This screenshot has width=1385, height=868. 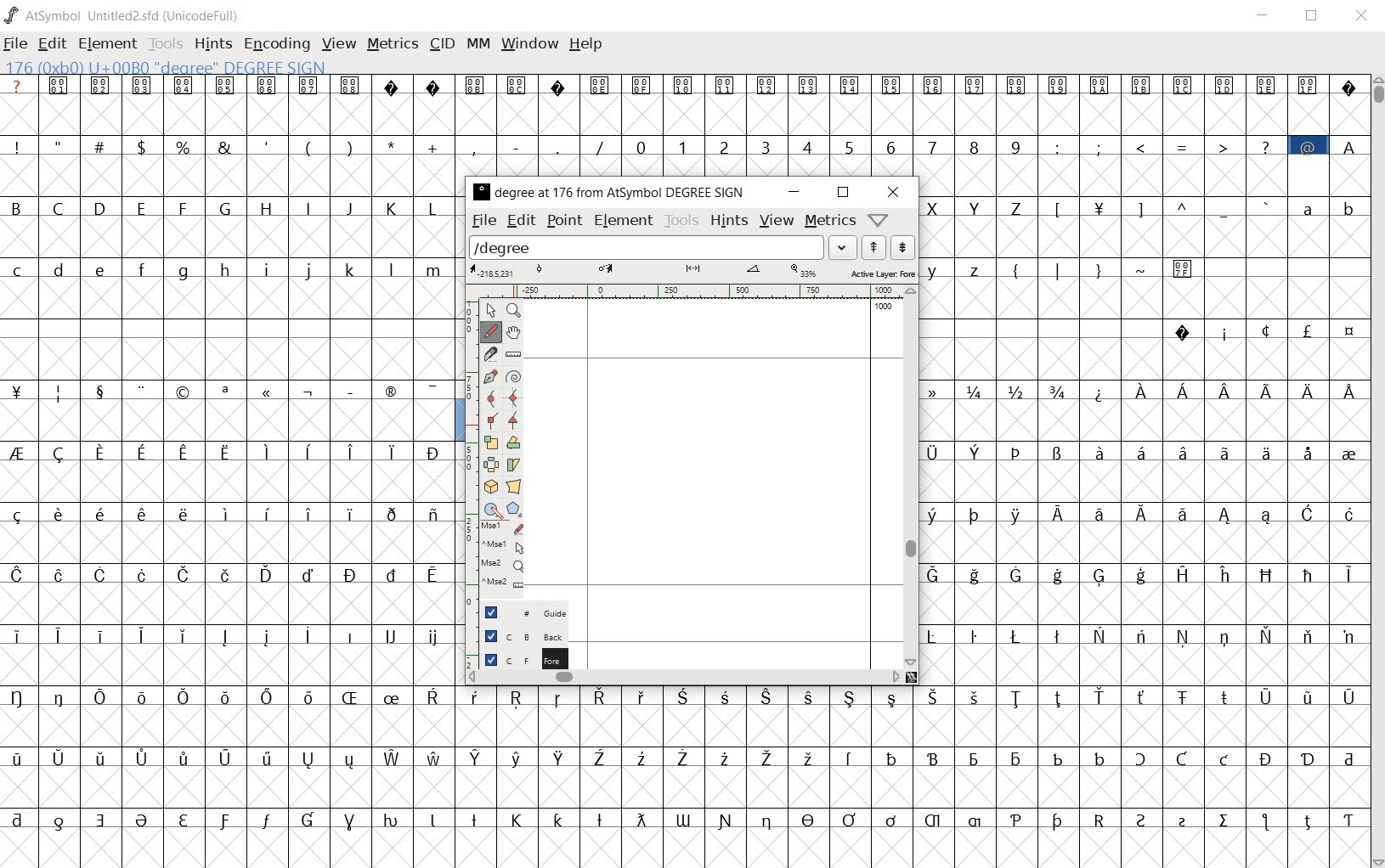 I want to click on , so click(x=1141, y=664).